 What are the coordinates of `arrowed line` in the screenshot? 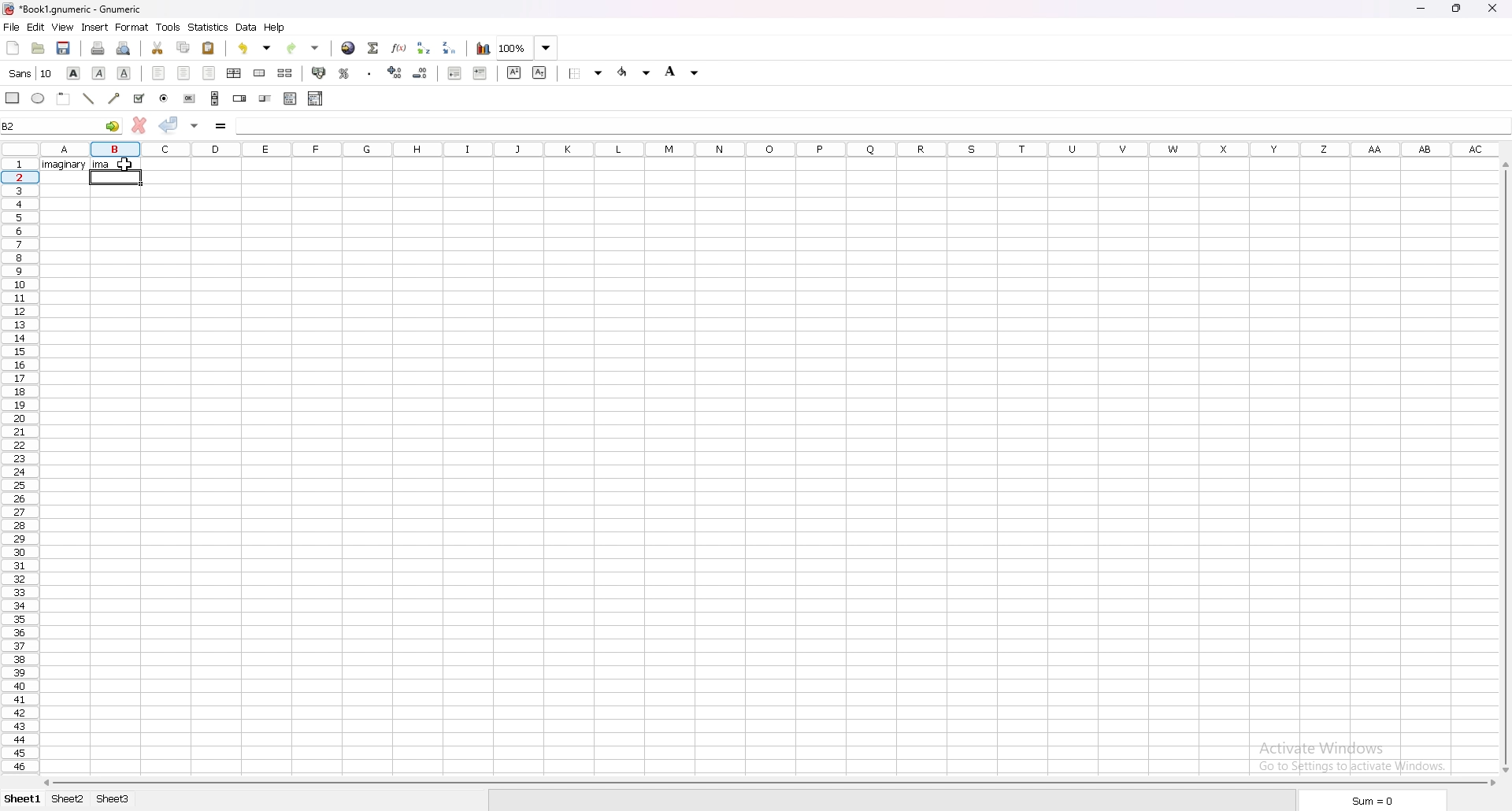 It's located at (114, 99).